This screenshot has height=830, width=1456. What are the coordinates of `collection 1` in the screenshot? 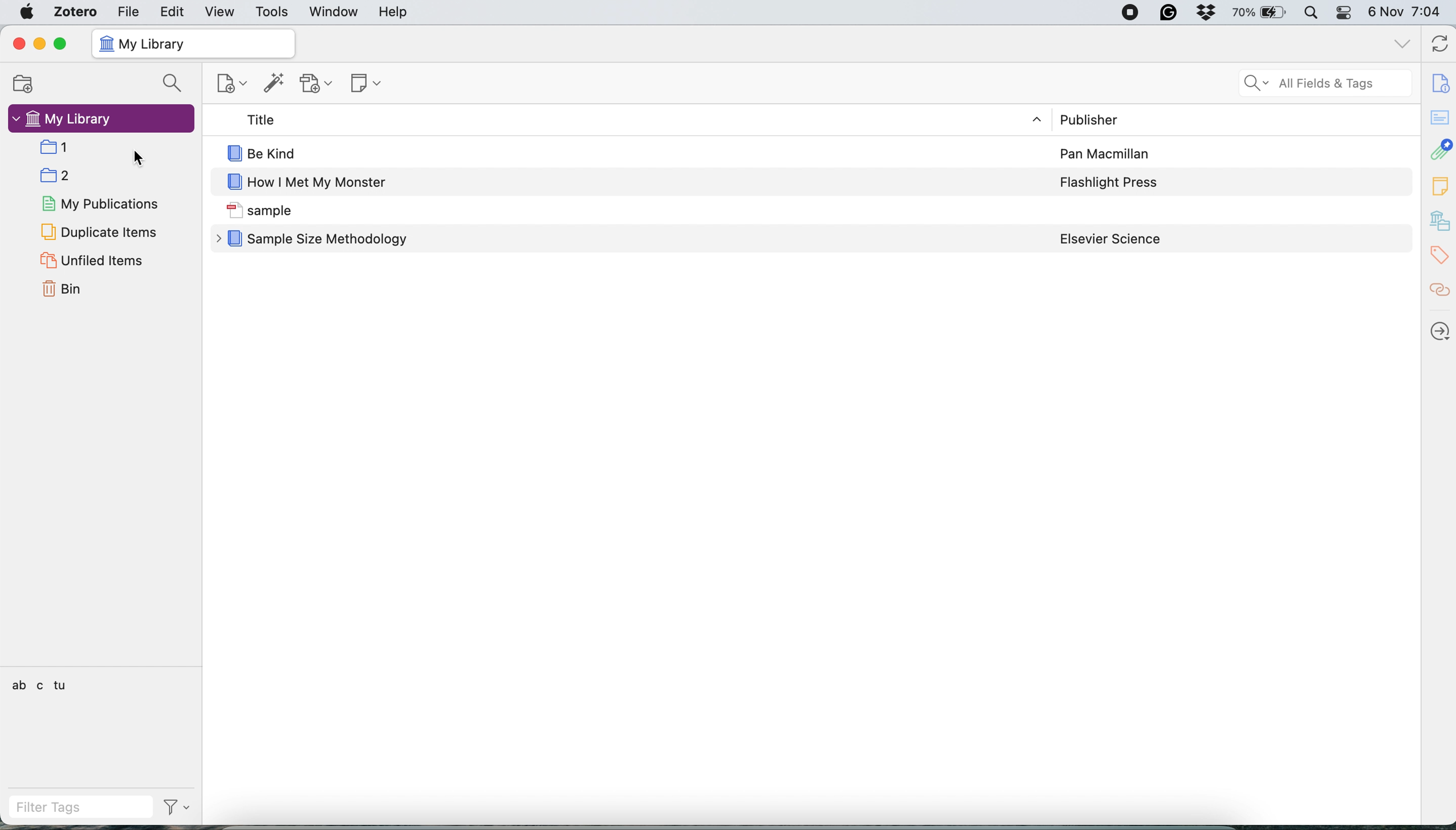 It's located at (59, 148).